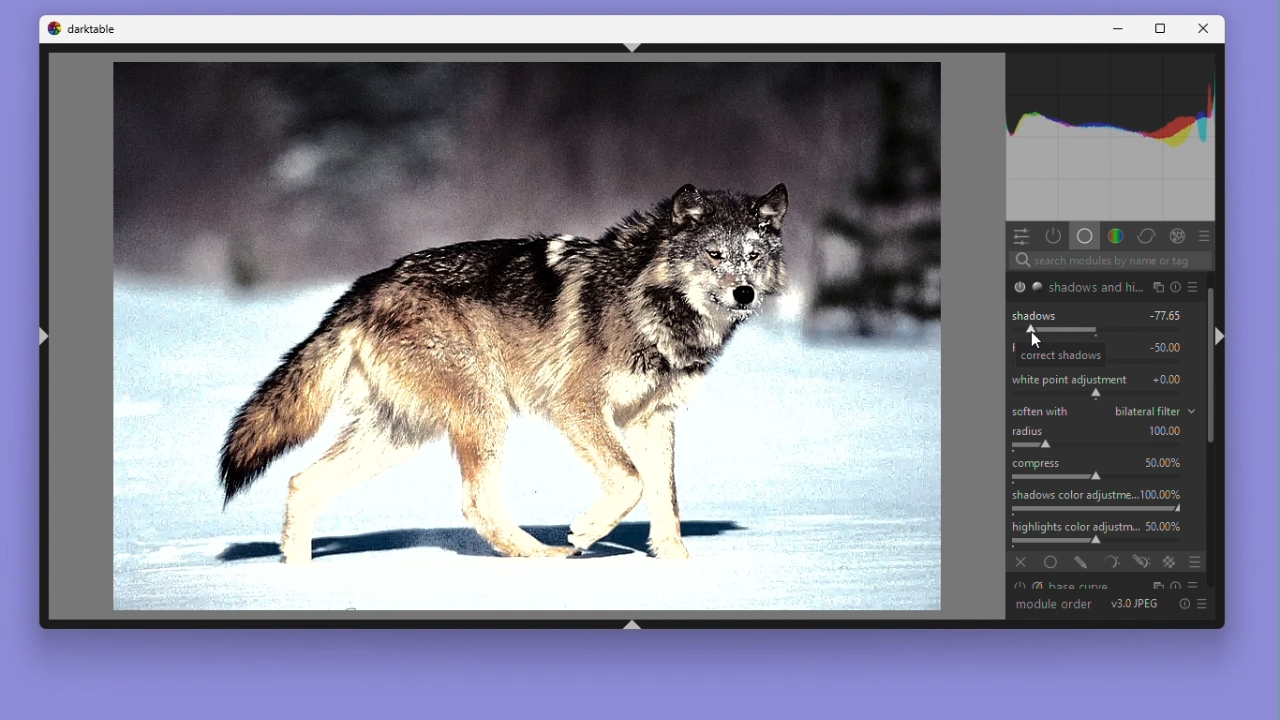  What do you see at coordinates (1133, 603) in the screenshot?
I see `V 3.0 JPEG` at bounding box center [1133, 603].